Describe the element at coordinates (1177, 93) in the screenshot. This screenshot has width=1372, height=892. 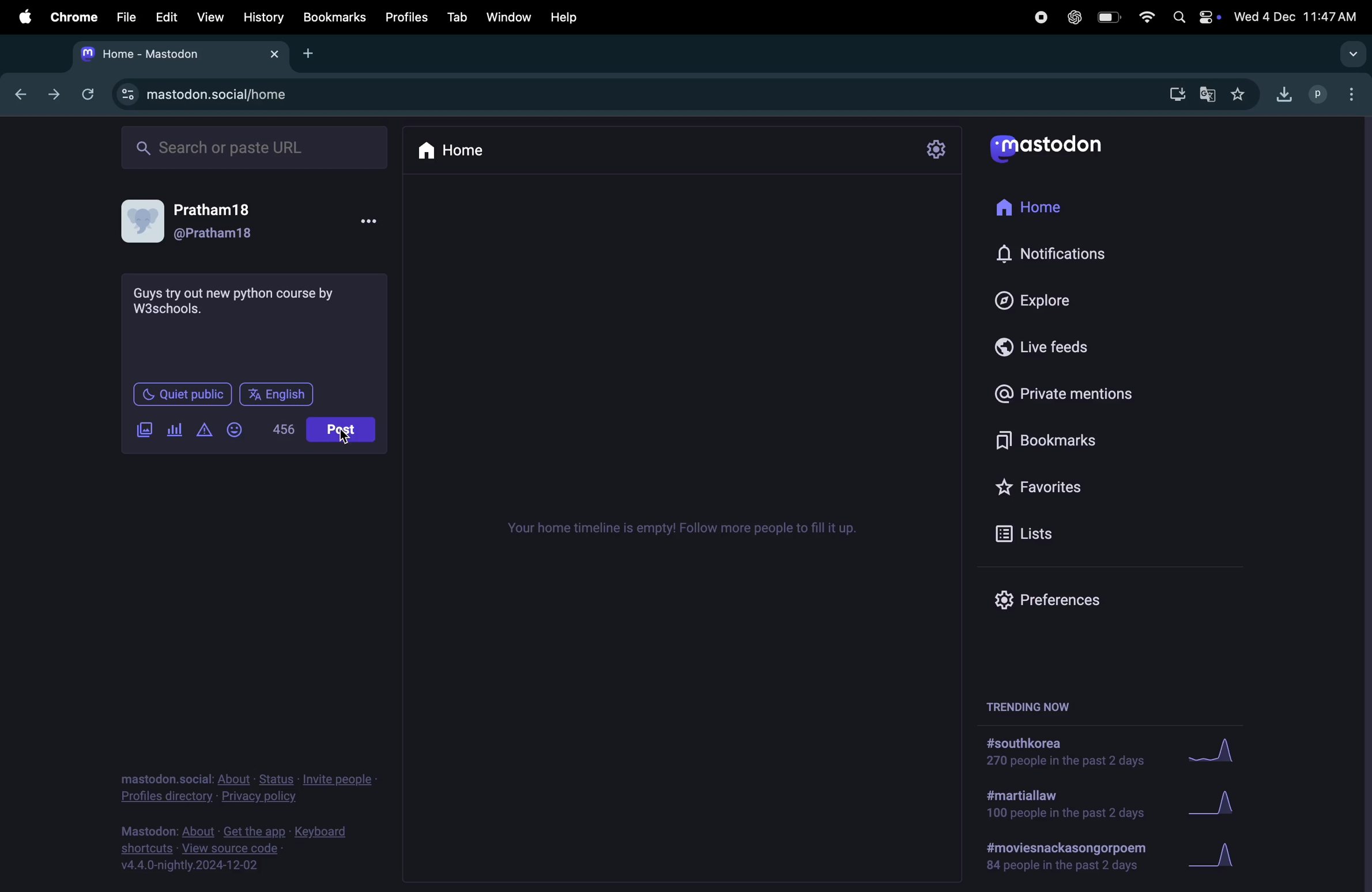
I see `downloads` at that location.